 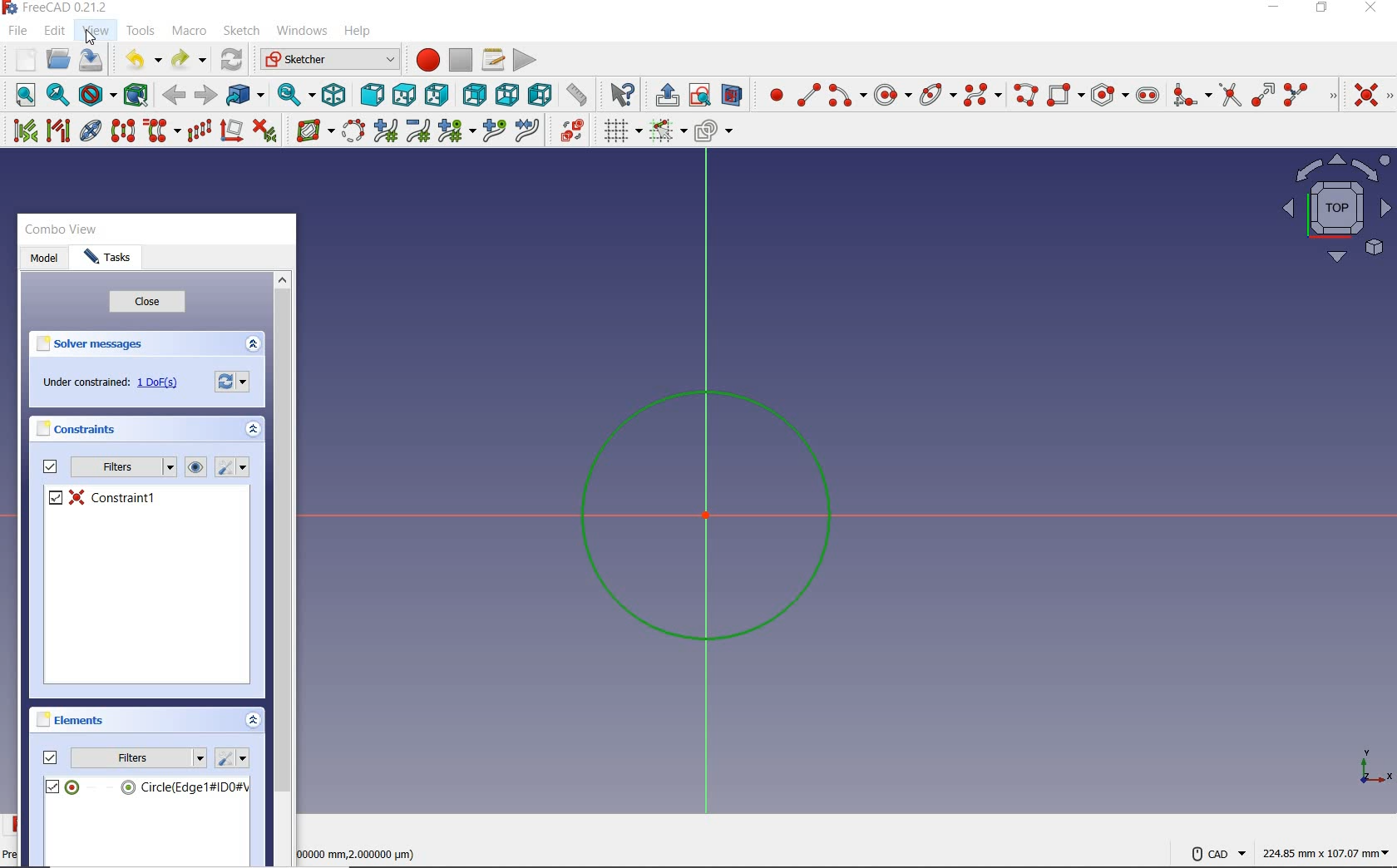 I want to click on sync view, so click(x=287, y=96).